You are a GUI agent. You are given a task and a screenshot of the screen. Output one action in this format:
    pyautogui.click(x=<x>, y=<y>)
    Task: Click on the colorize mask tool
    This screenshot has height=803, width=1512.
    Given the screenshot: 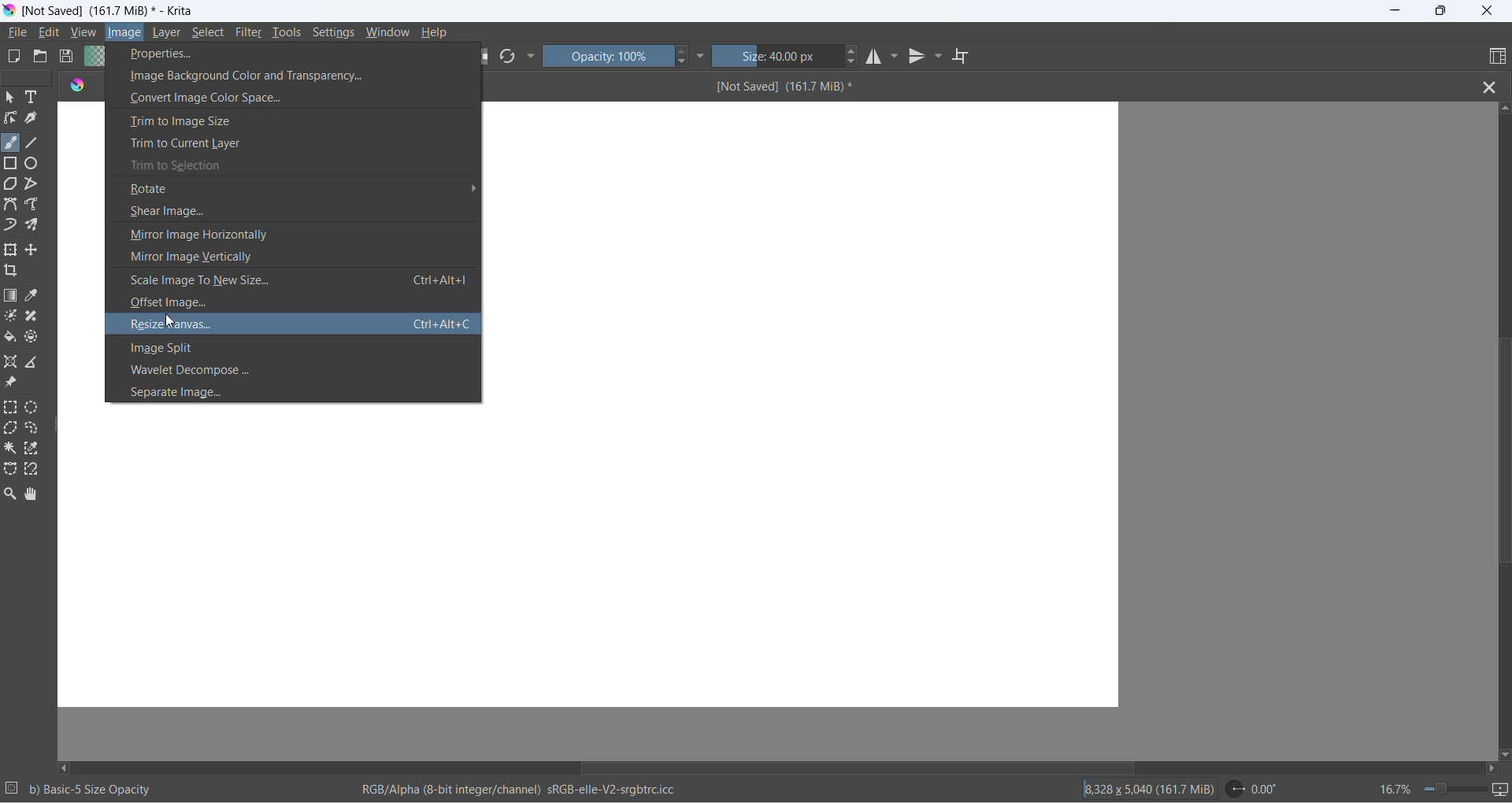 What is the action you would take?
    pyautogui.click(x=12, y=316)
    